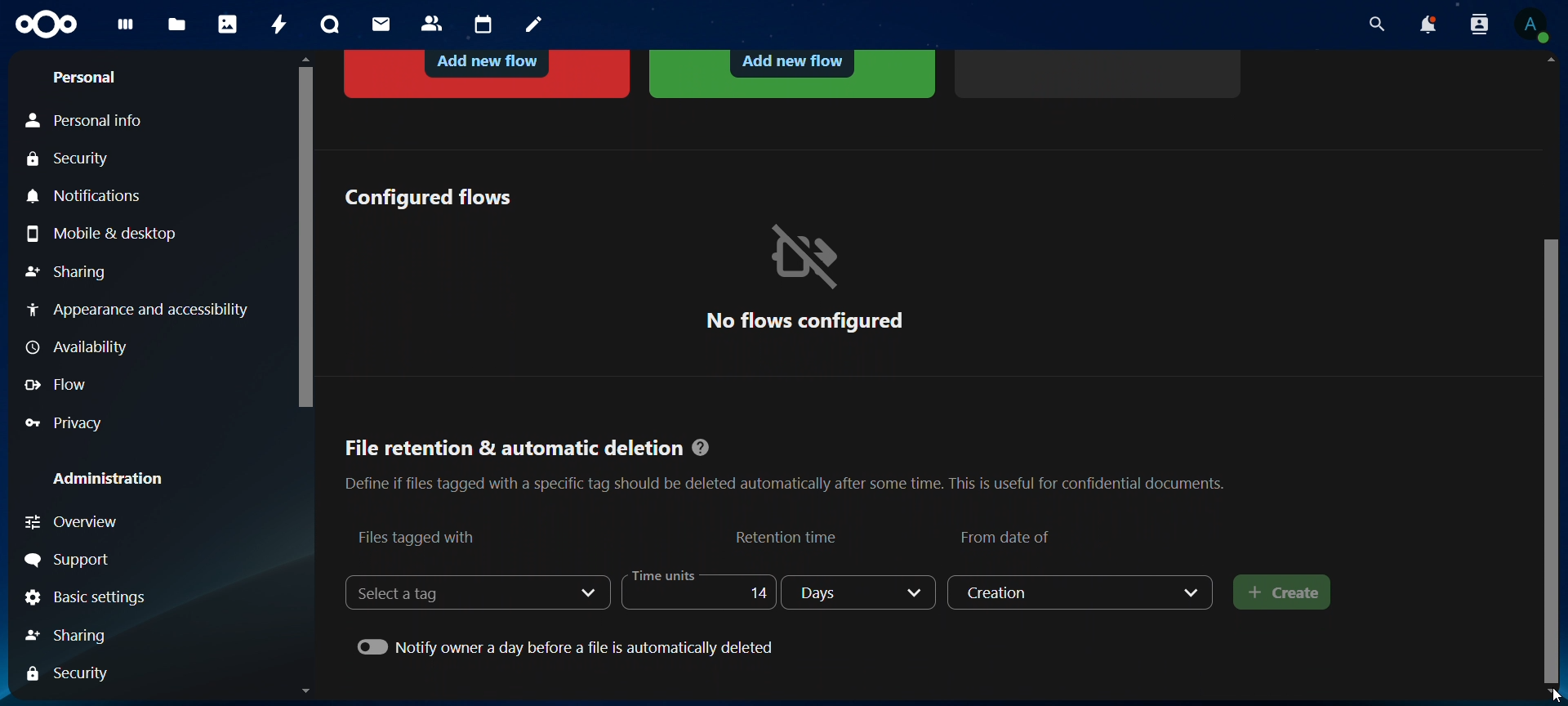  Describe the element at coordinates (89, 197) in the screenshot. I see `notifications` at that location.